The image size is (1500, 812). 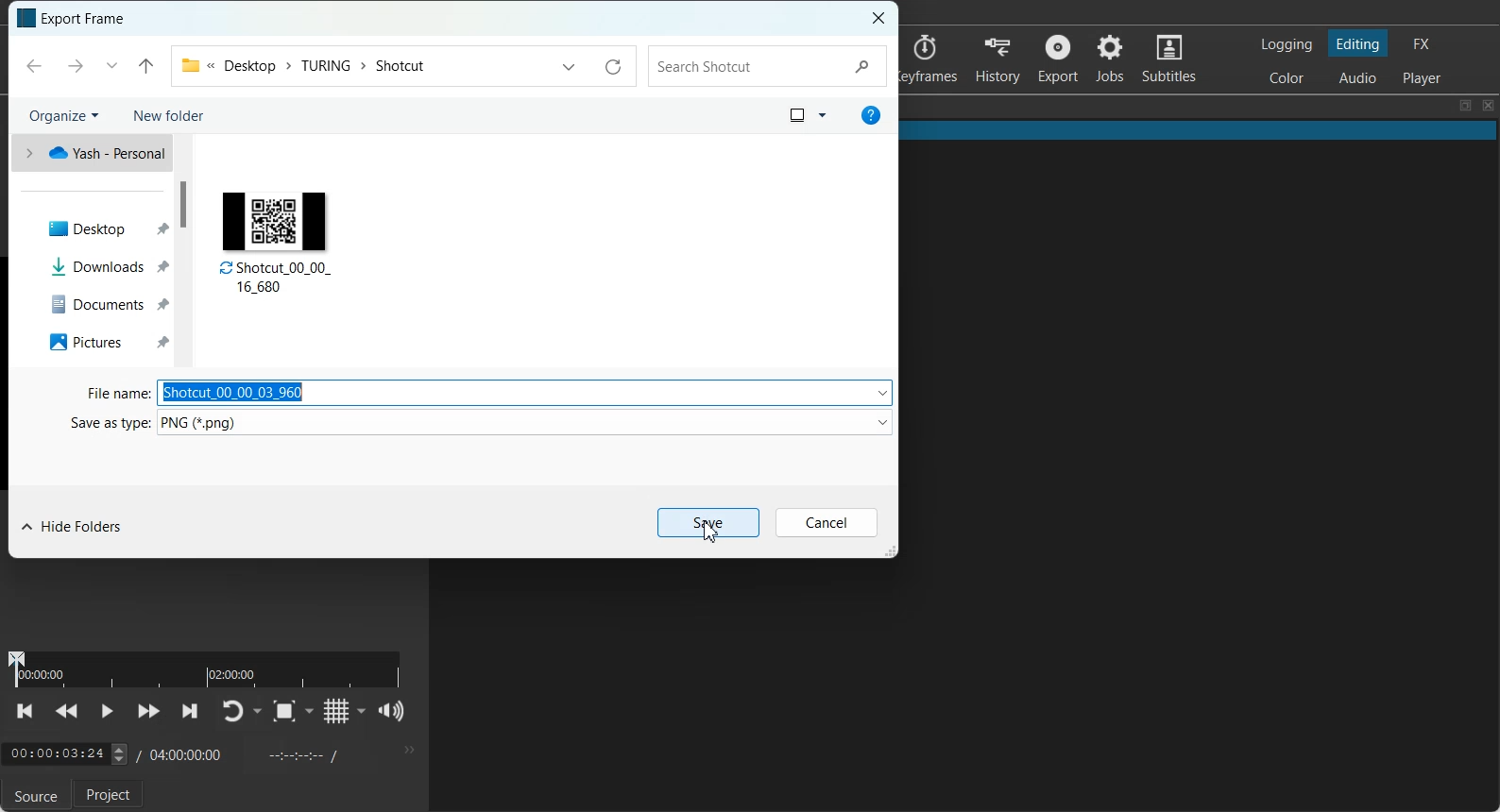 I want to click on History, so click(x=997, y=59).